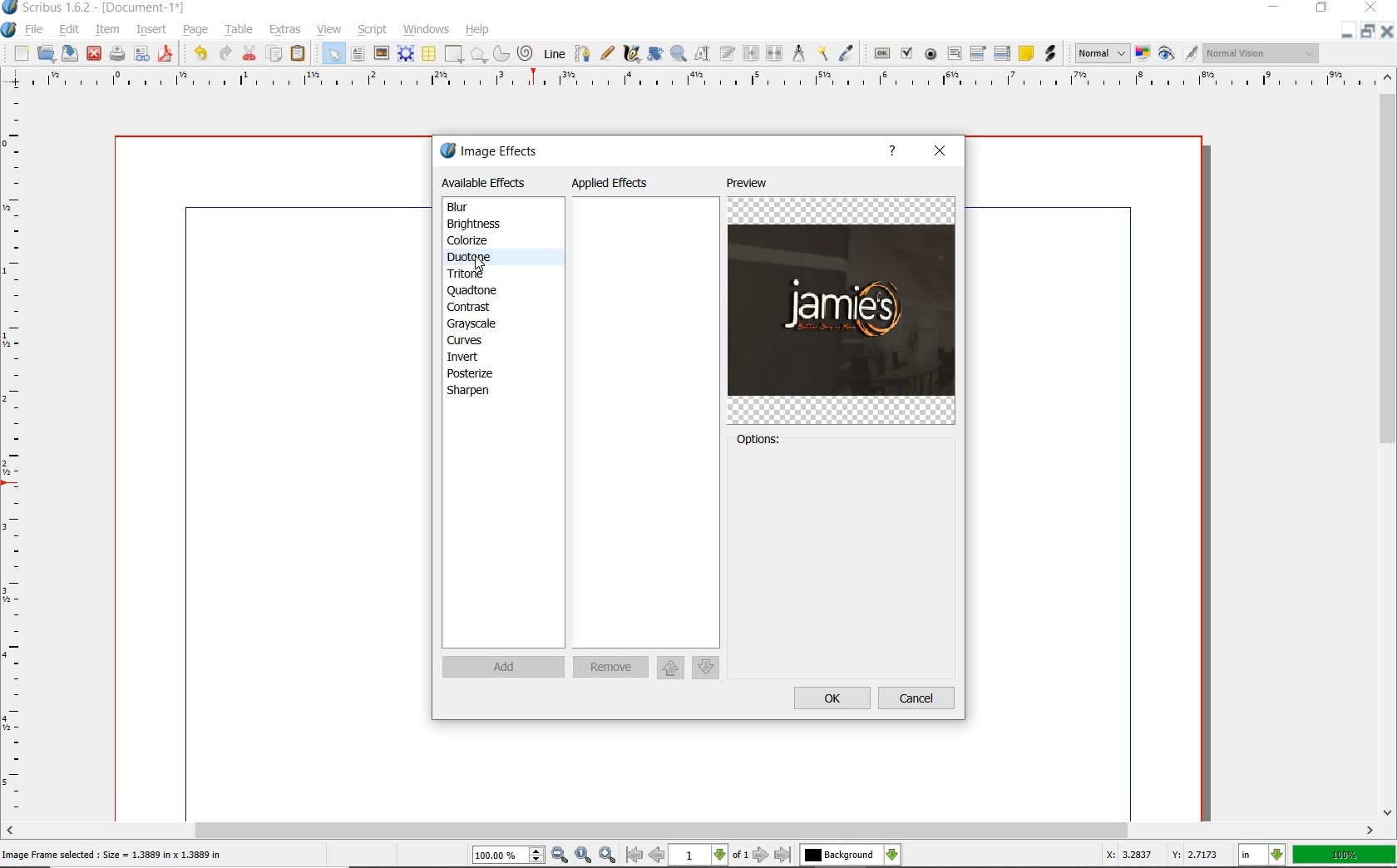  I want to click on eye dropper, so click(845, 53).